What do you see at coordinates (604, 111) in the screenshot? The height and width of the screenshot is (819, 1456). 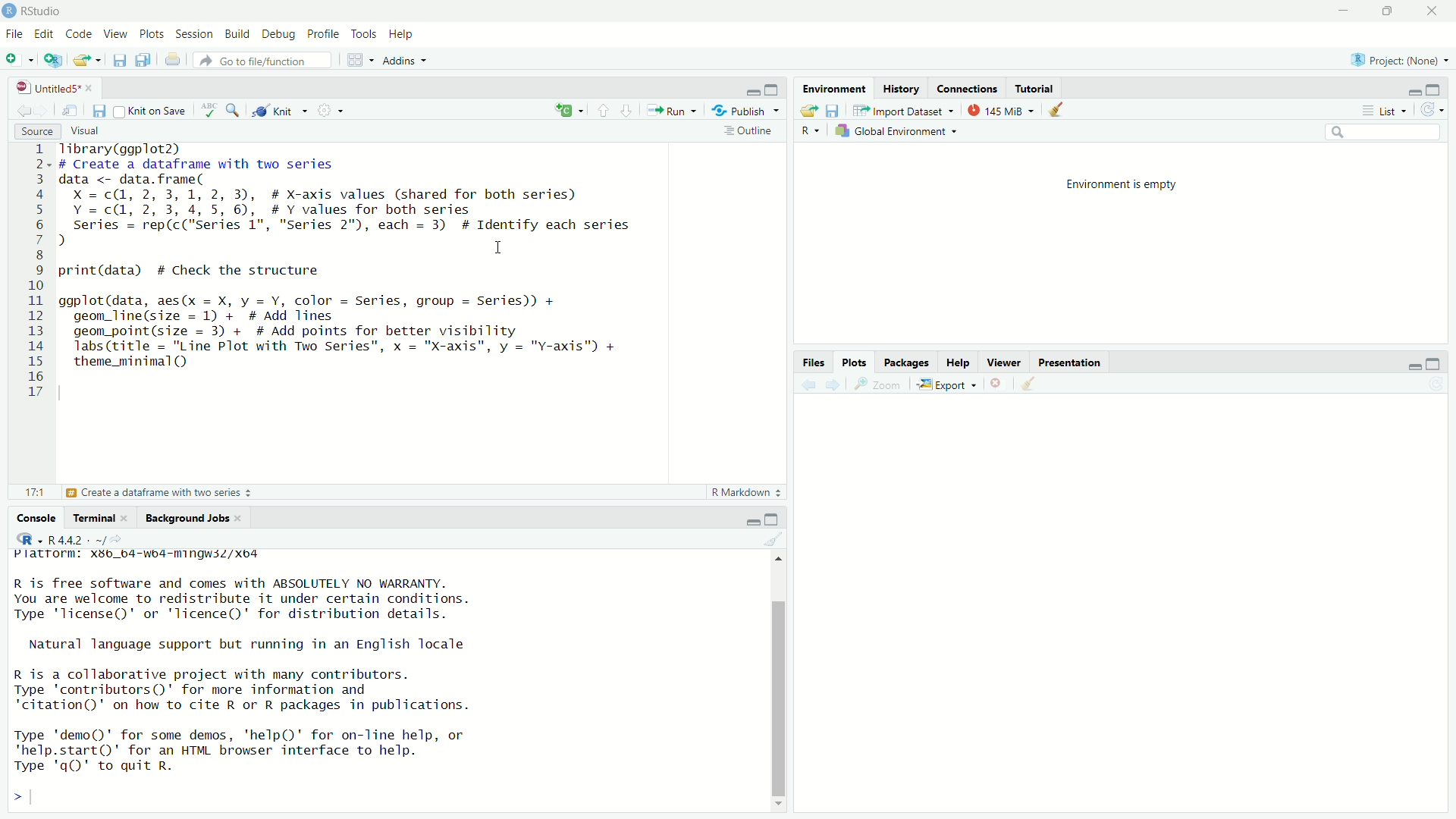 I see `Go to previous section/chunk` at bounding box center [604, 111].